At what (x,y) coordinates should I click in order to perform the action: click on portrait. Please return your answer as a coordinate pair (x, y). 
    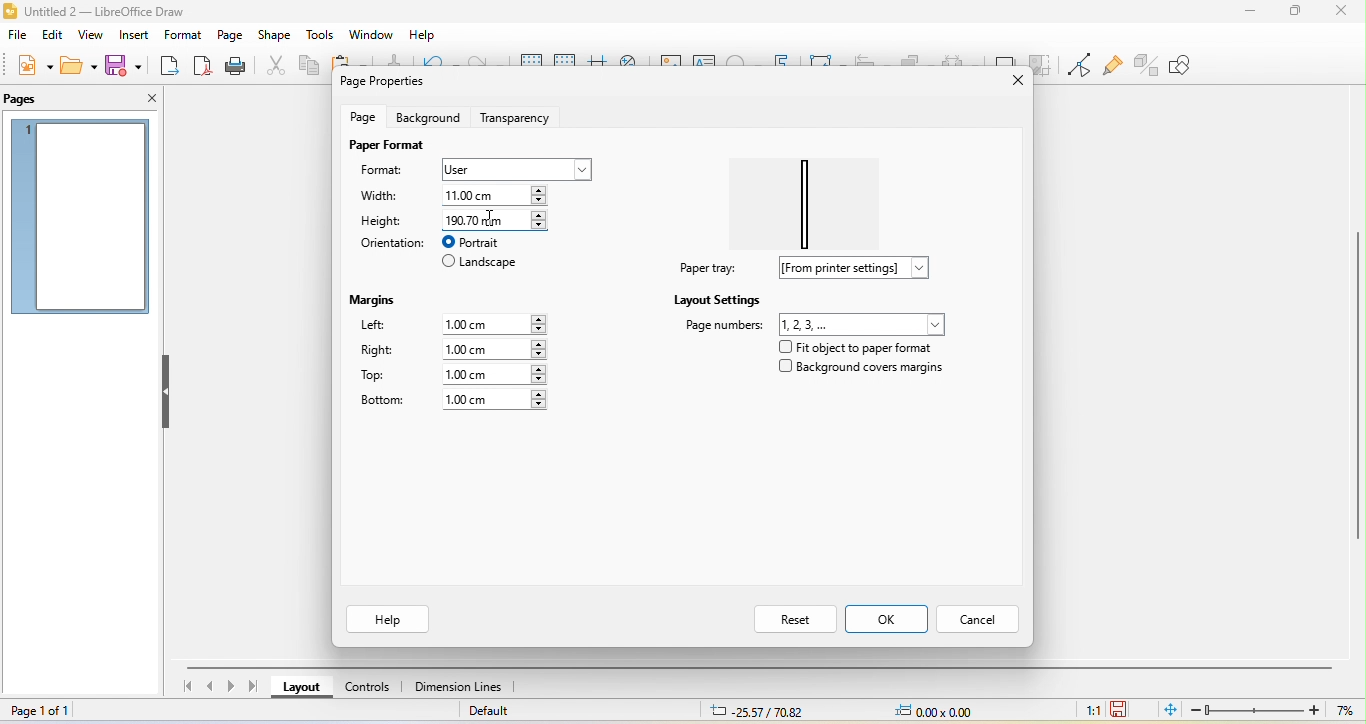
    Looking at the image, I should click on (483, 242).